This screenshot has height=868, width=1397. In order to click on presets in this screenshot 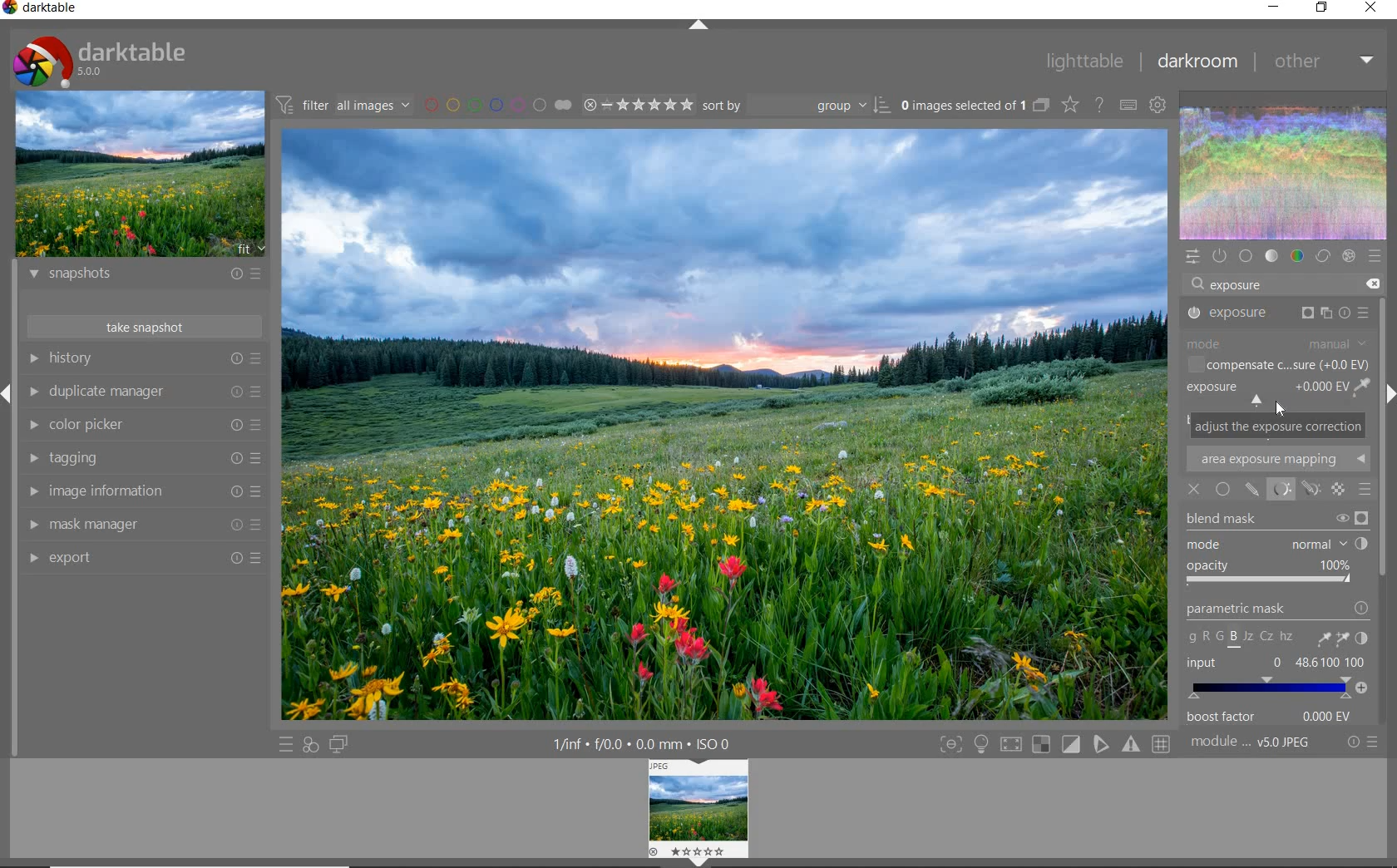, I will do `click(1375, 257)`.